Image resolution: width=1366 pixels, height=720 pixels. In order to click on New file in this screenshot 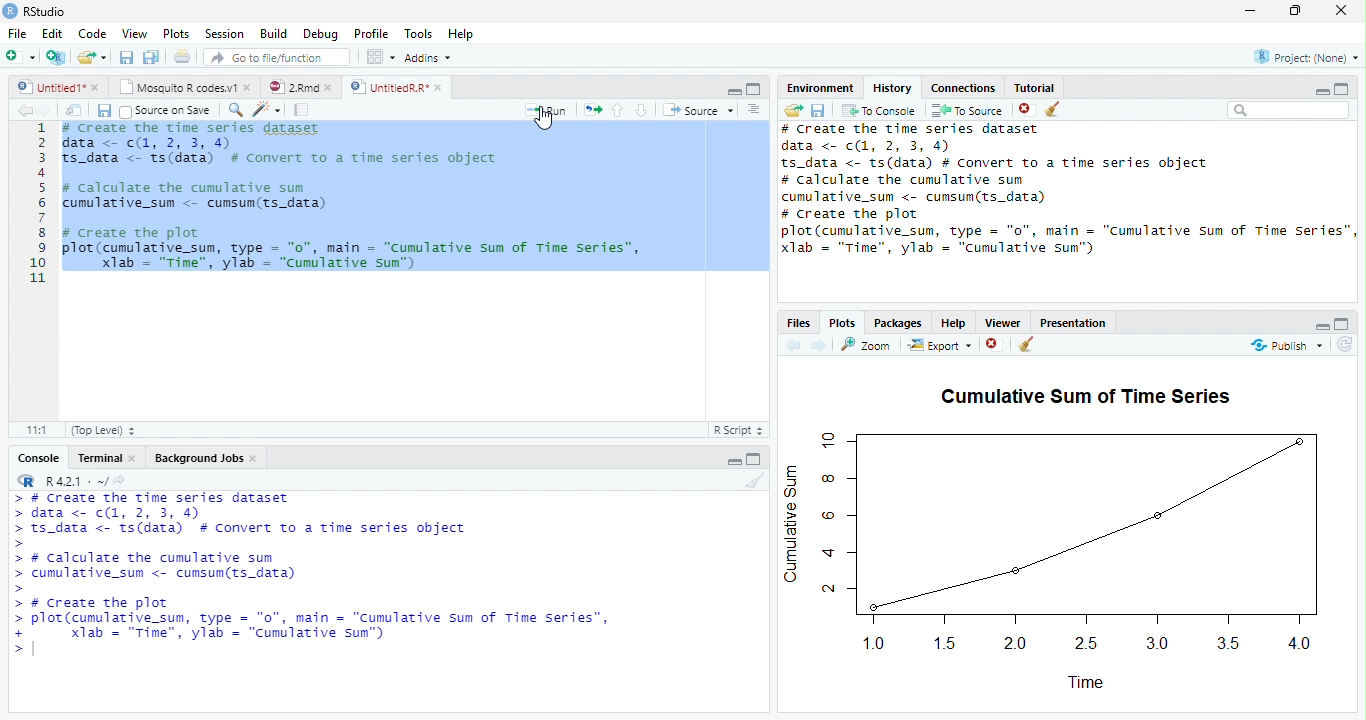, I will do `click(20, 56)`.